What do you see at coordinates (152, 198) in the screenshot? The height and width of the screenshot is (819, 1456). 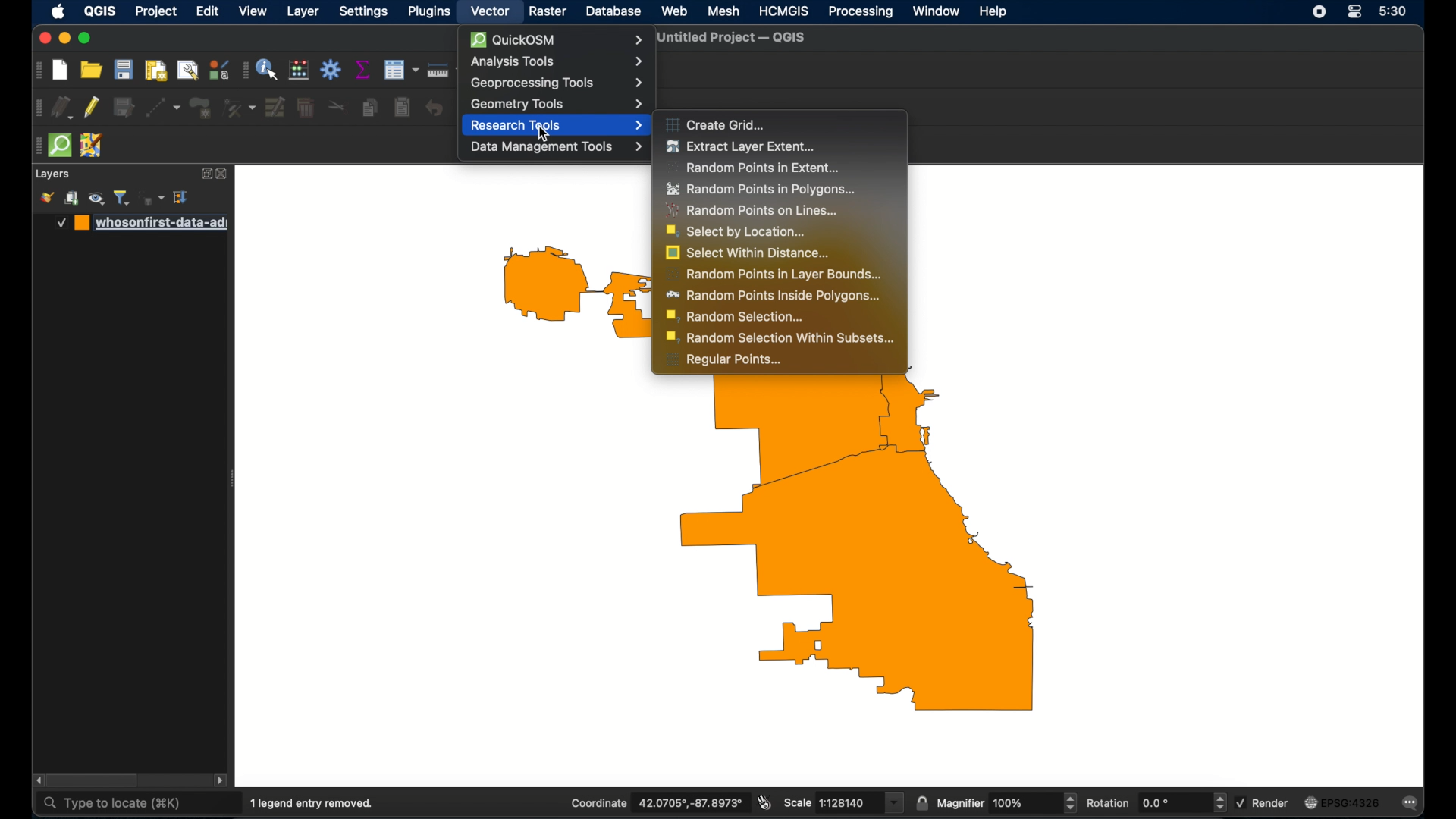 I see `filter legend by expression` at bounding box center [152, 198].